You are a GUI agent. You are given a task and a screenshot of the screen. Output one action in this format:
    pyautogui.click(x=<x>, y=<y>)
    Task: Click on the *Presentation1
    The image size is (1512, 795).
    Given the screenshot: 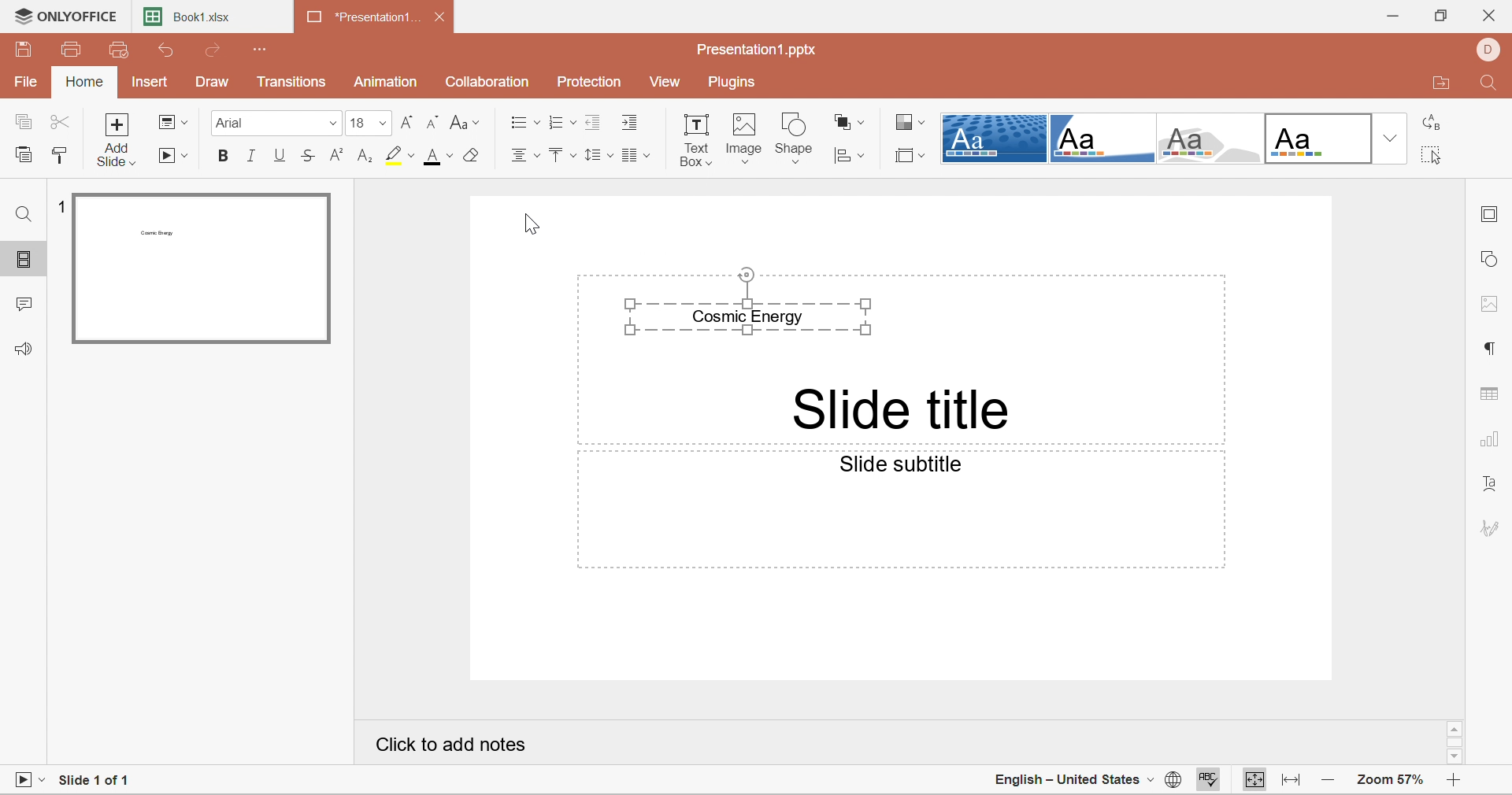 What is the action you would take?
    pyautogui.click(x=365, y=20)
    